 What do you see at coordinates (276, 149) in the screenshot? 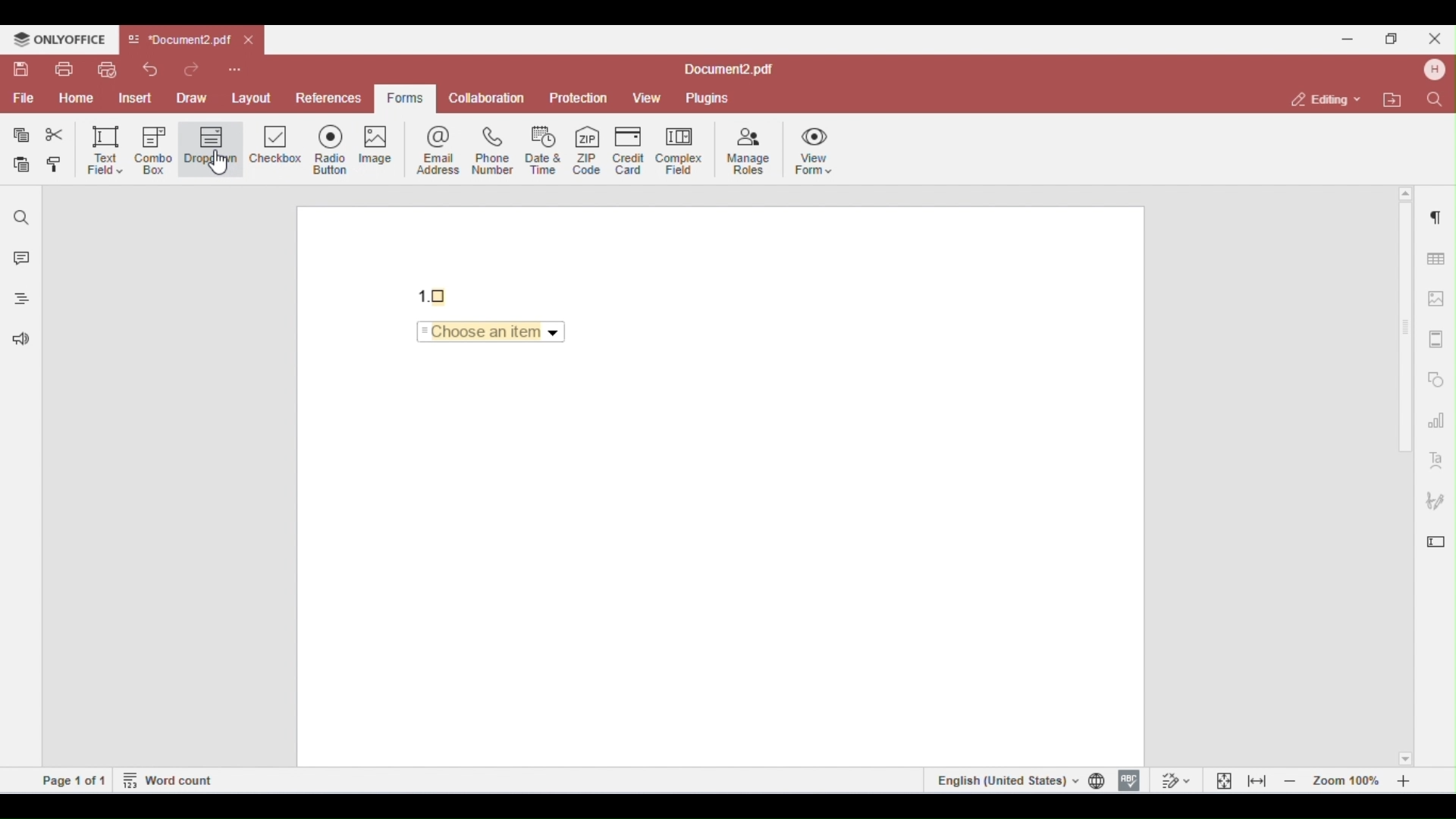
I see `checkbox` at bounding box center [276, 149].